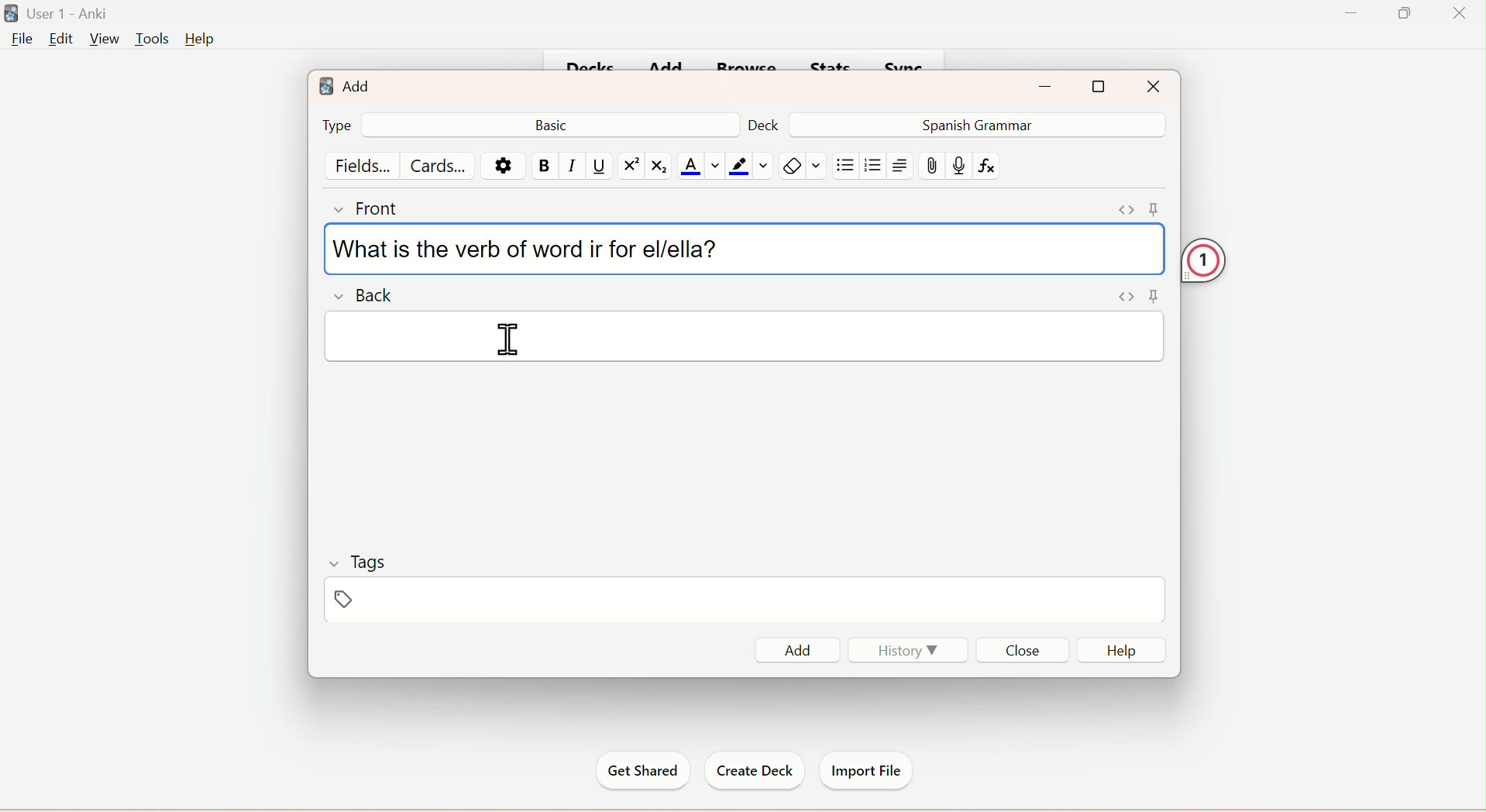 The width and height of the screenshot is (1486, 812). What do you see at coordinates (910, 654) in the screenshot?
I see `History` at bounding box center [910, 654].